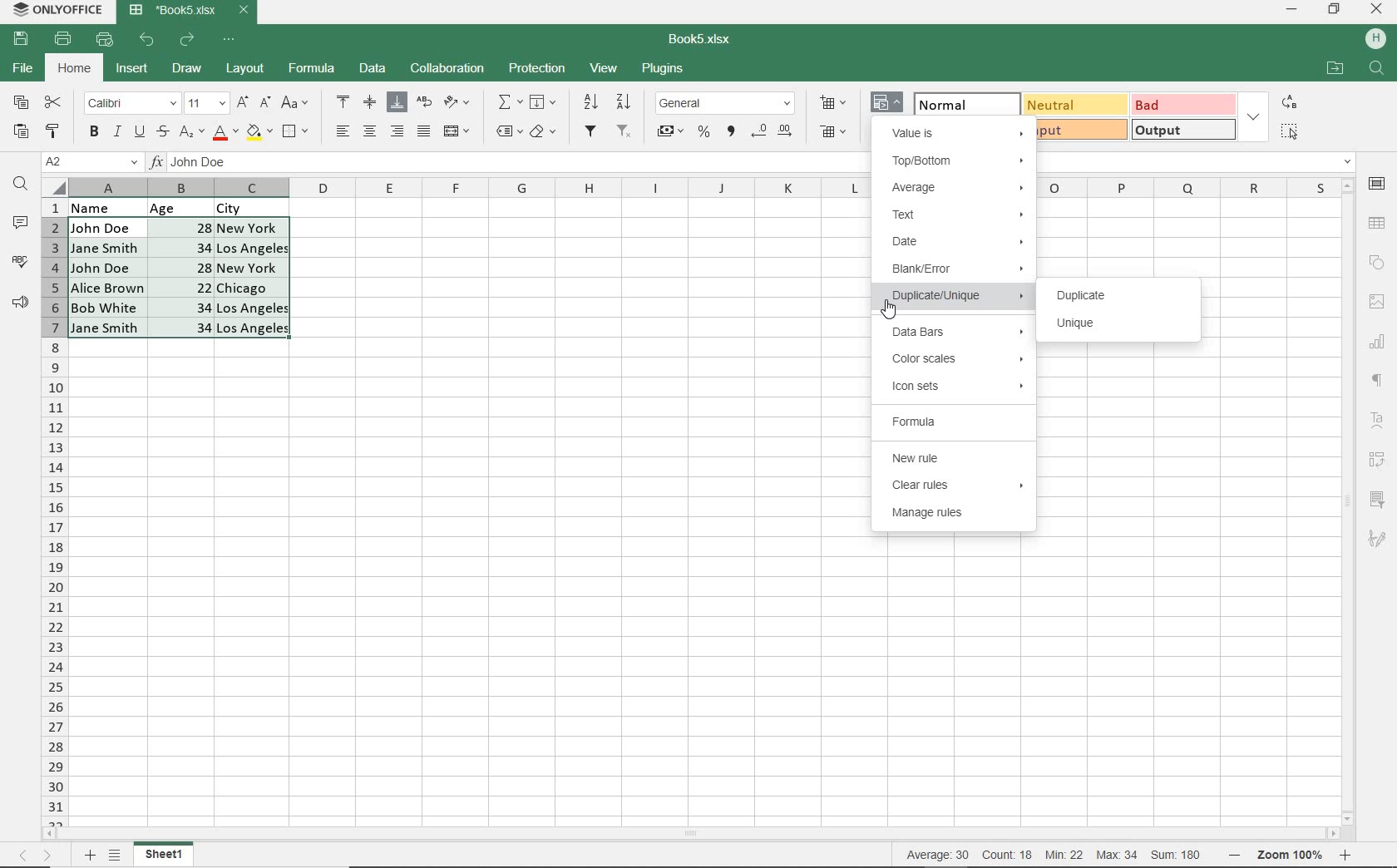 This screenshot has height=868, width=1397. What do you see at coordinates (703, 132) in the screenshot?
I see `PERCENT STYLE` at bounding box center [703, 132].